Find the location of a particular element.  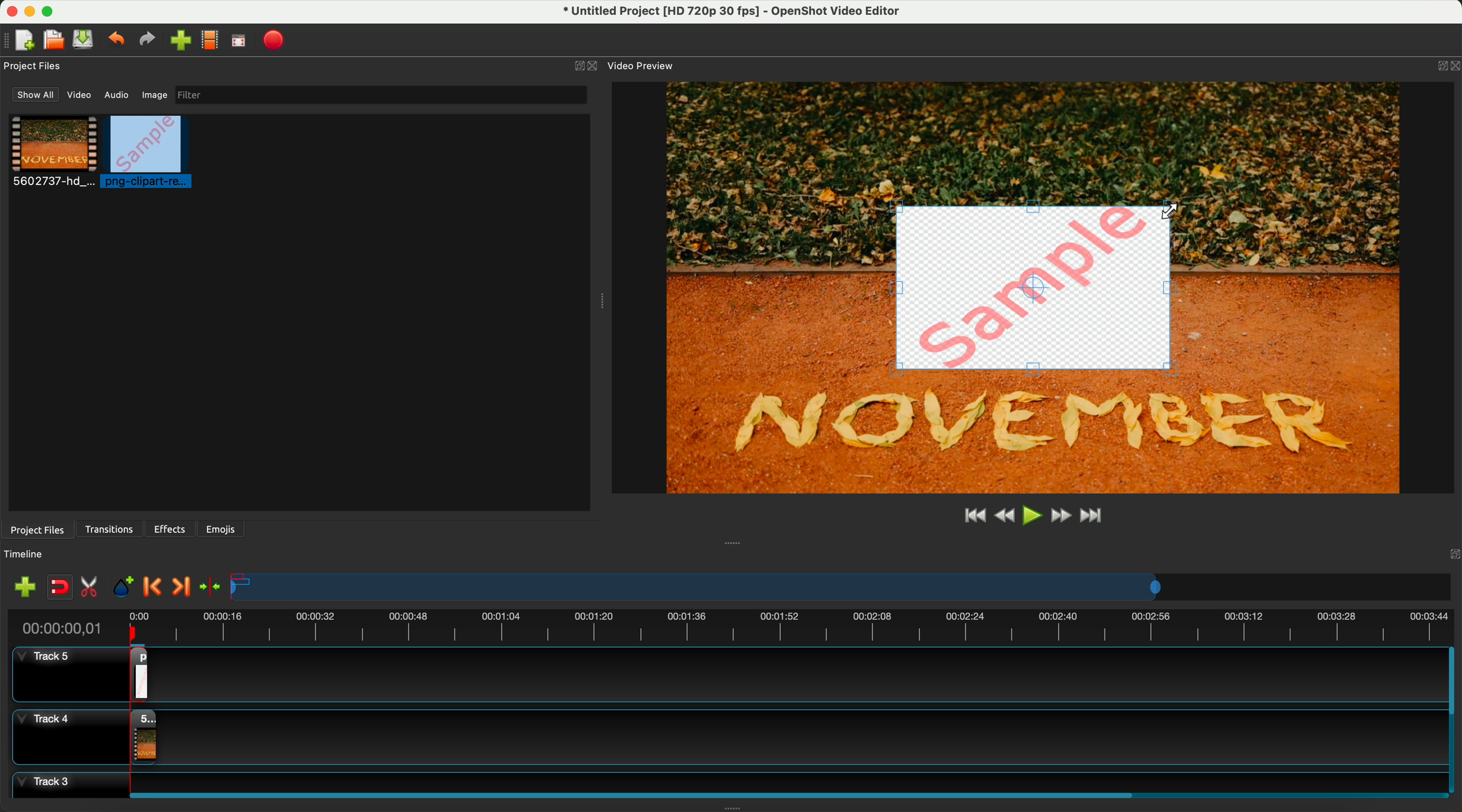

import files is located at coordinates (22, 586).